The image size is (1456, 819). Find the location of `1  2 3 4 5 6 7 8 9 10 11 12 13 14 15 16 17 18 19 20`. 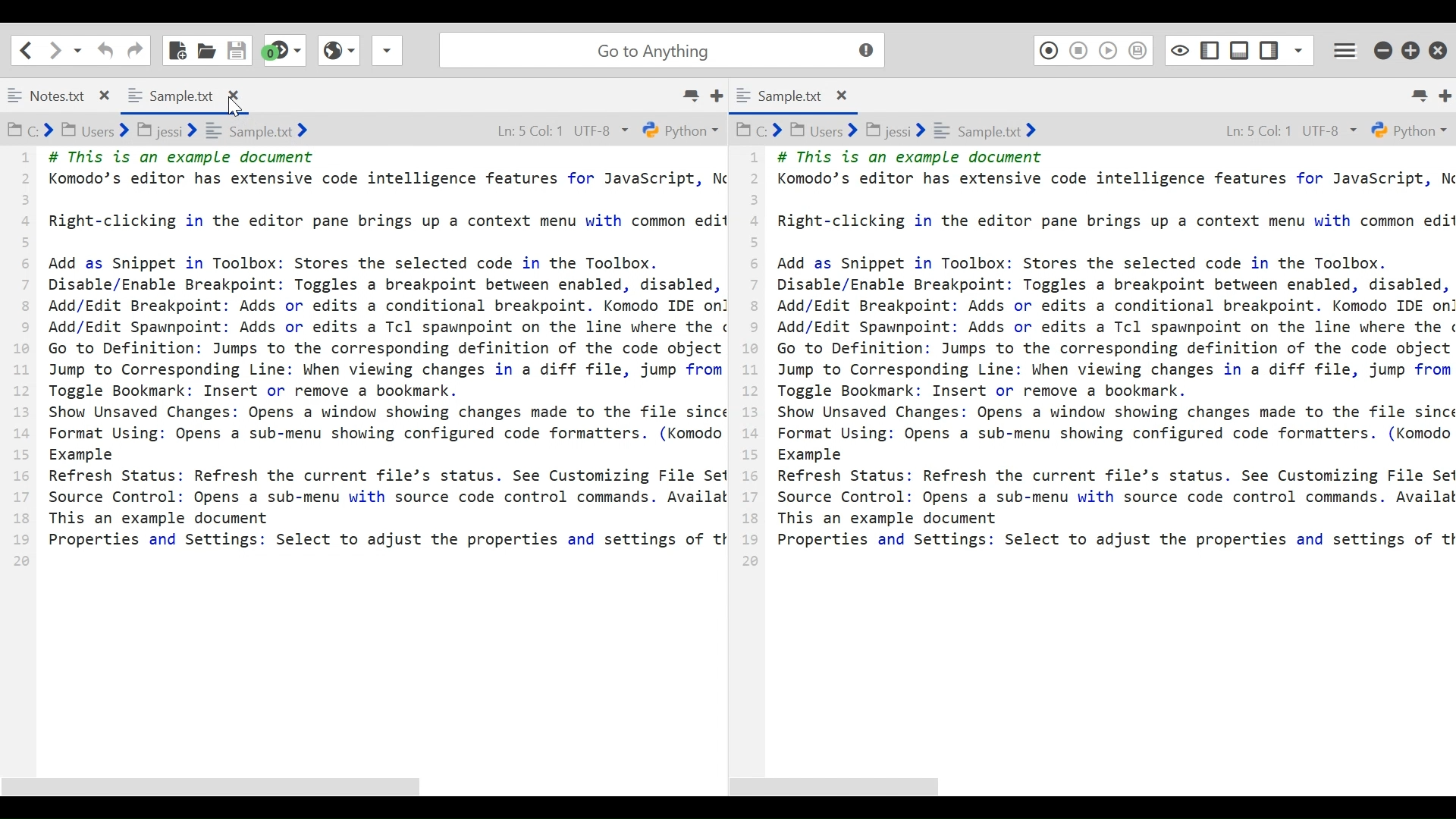

1  2 3 4 5 6 7 8 9 10 11 12 13 14 15 16 17 18 19 20 is located at coordinates (752, 366).